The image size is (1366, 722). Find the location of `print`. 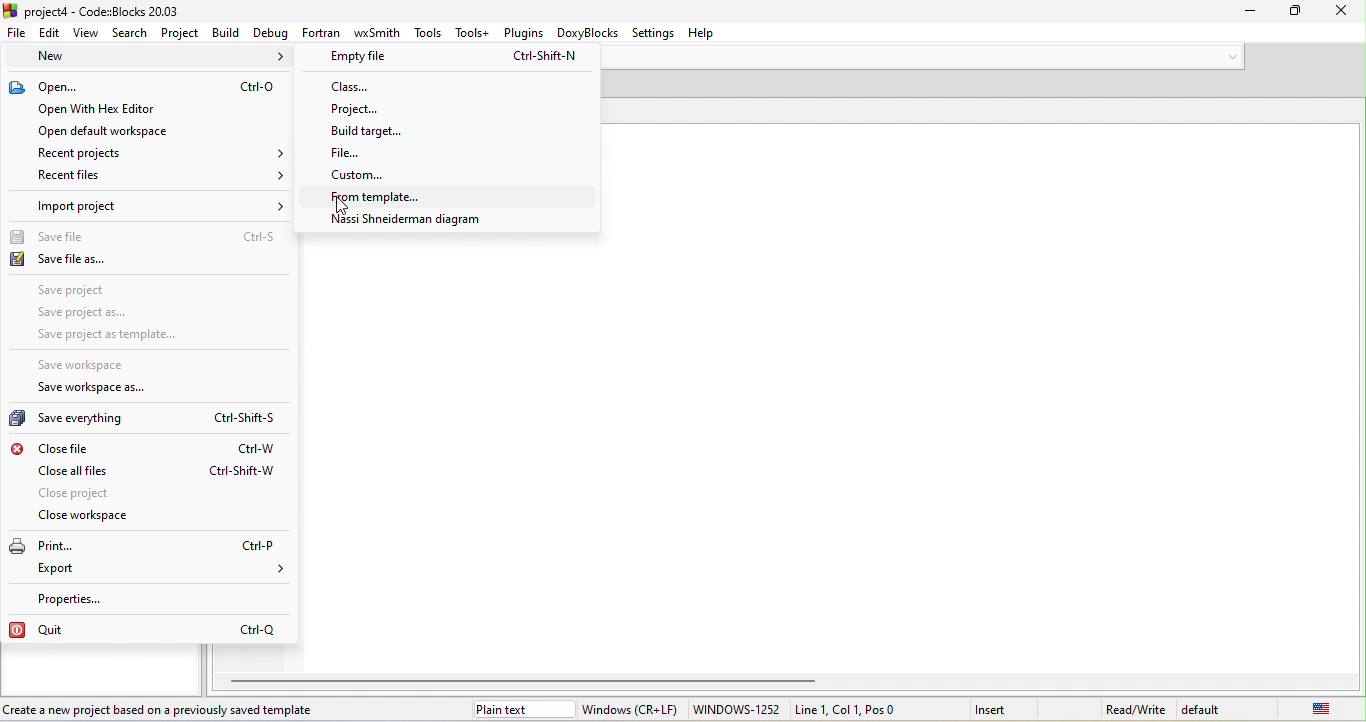

print is located at coordinates (145, 542).